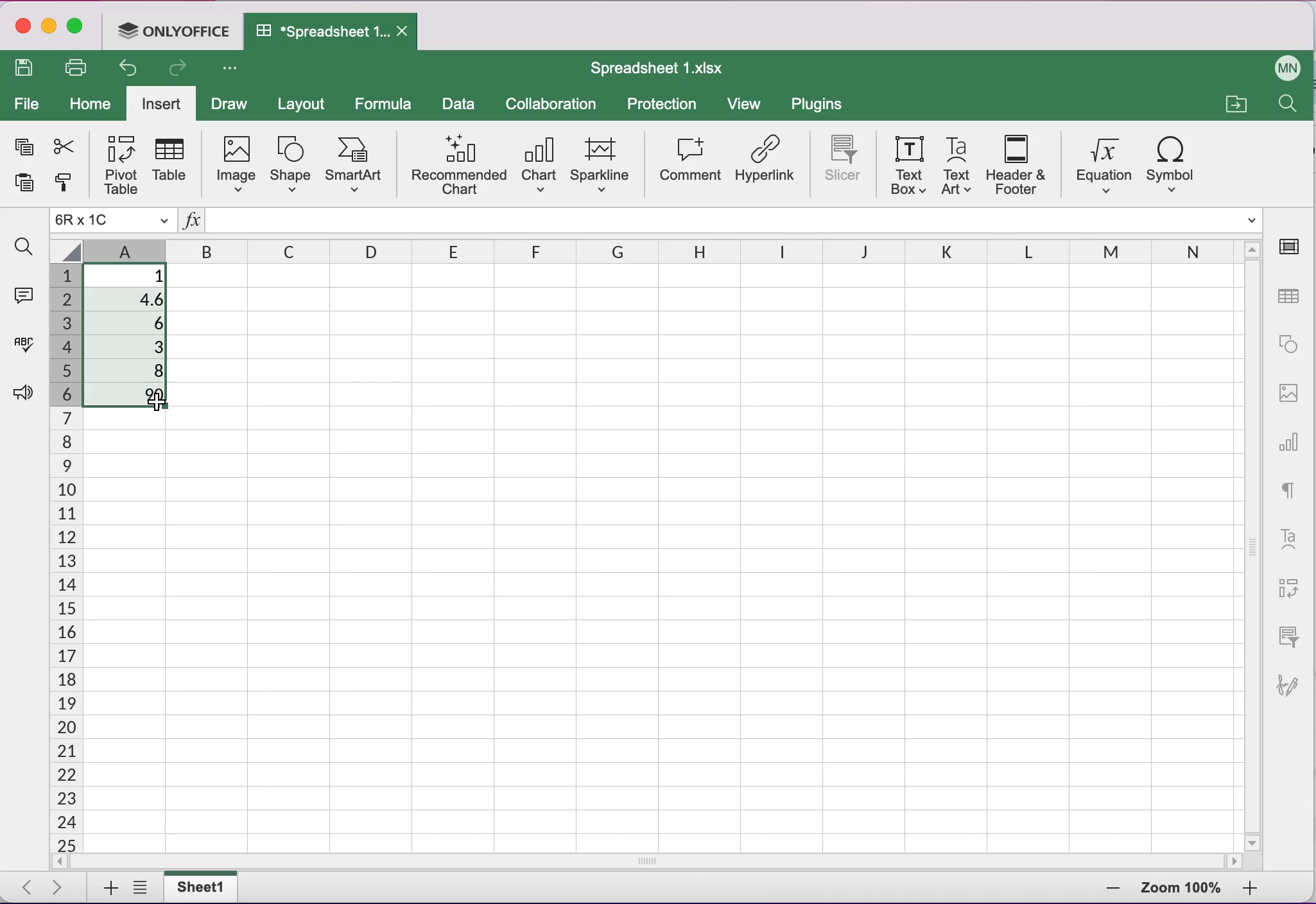 The image size is (1316, 904). What do you see at coordinates (656, 67) in the screenshot?
I see `Spreadsheet 1.xIsx` at bounding box center [656, 67].